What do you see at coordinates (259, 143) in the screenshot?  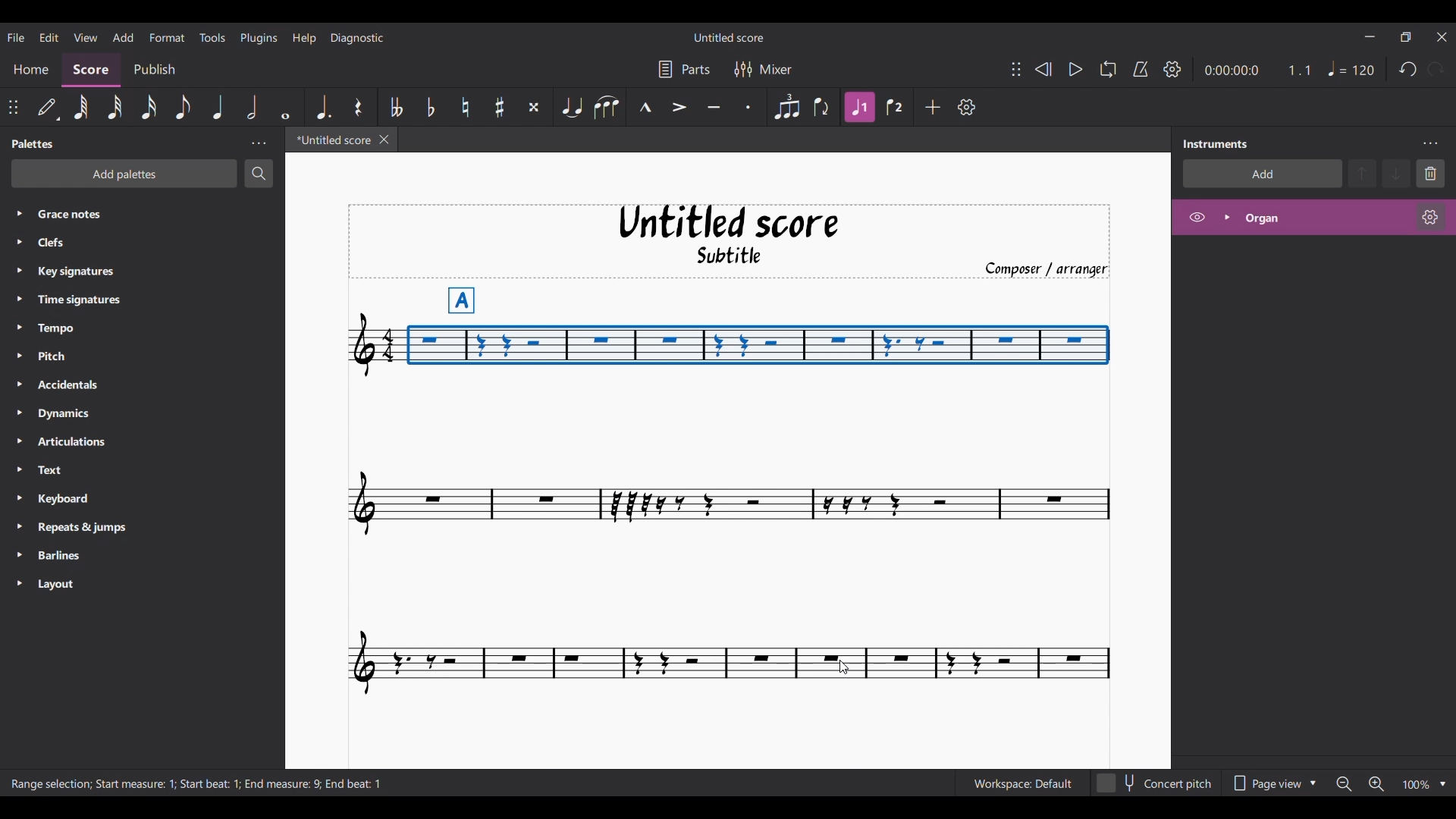 I see `Panel settings` at bounding box center [259, 143].